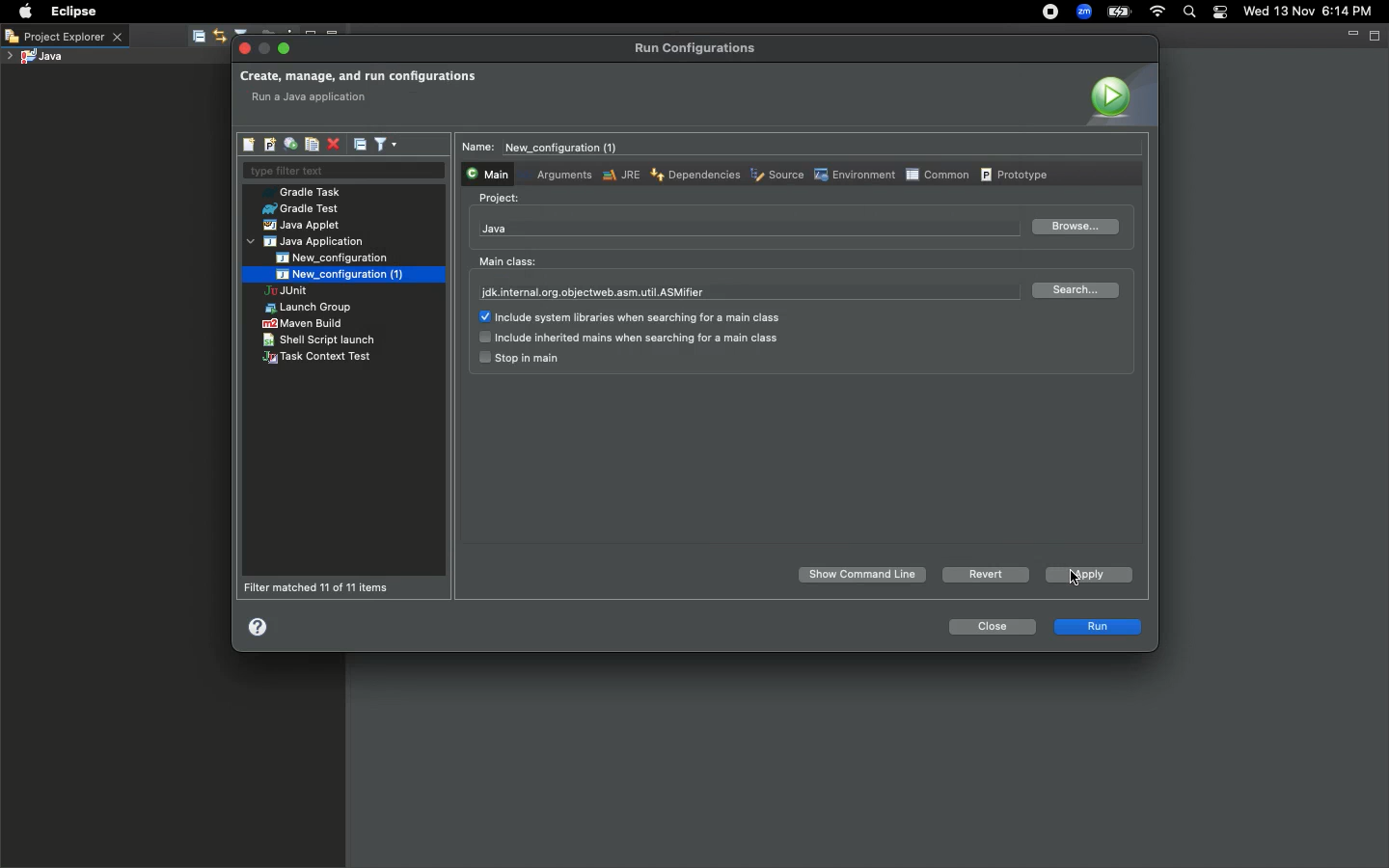  Describe the element at coordinates (333, 146) in the screenshot. I see `Delete selected launch configurations` at that location.